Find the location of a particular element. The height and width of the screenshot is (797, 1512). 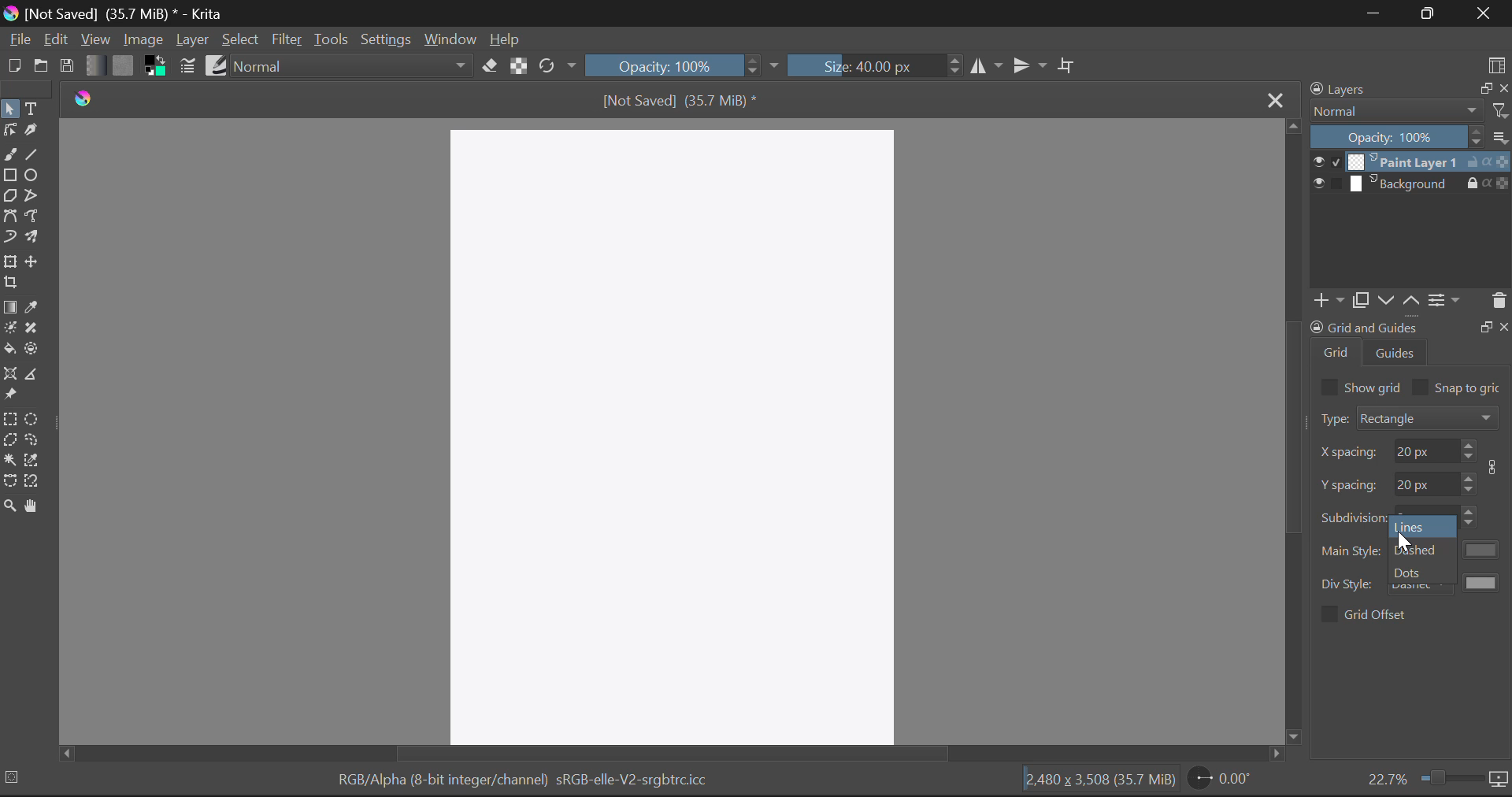

grid and guide is located at coordinates (1363, 327).